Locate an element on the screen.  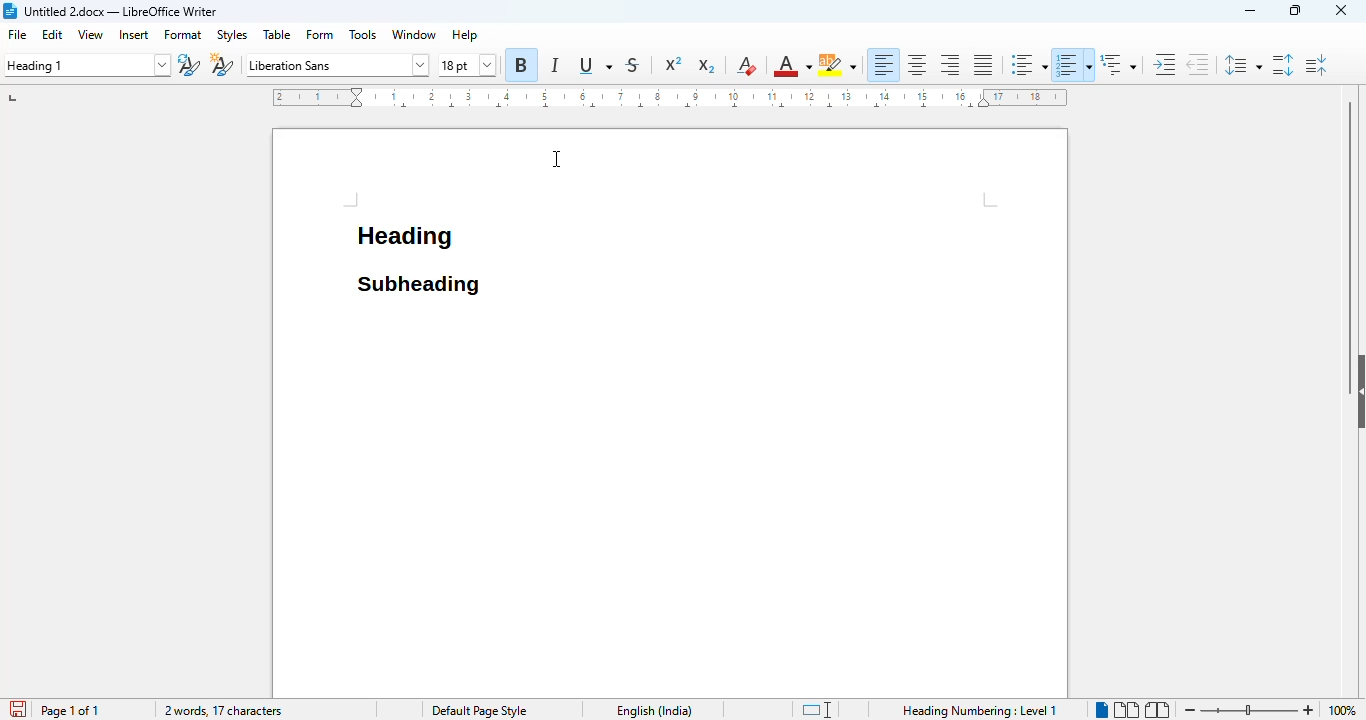
strikethrough unselected is located at coordinates (638, 65).